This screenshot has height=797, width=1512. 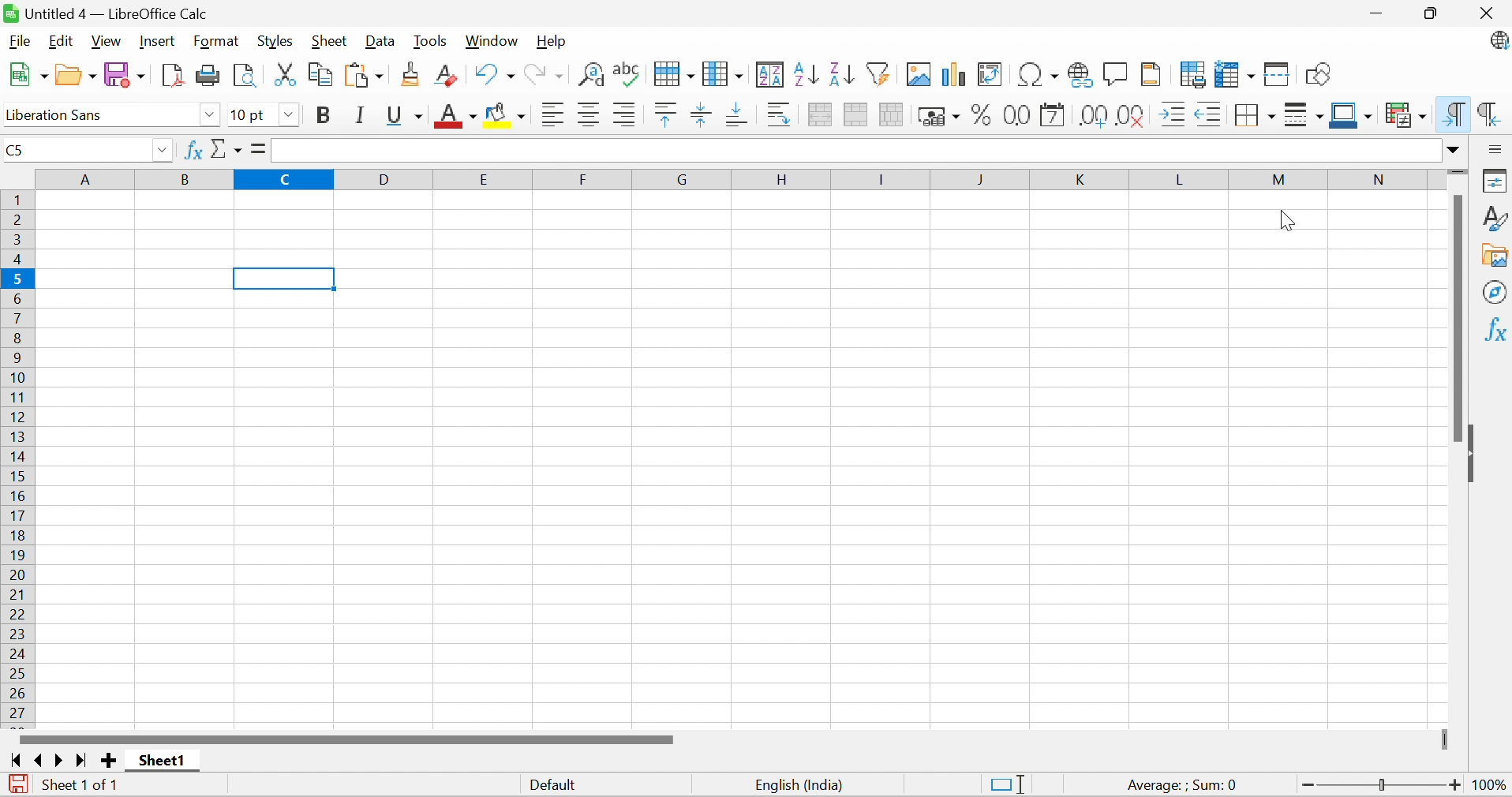 What do you see at coordinates (275, 42) in the screenshot?
I see `Styles` at bounding box center [275, 42].